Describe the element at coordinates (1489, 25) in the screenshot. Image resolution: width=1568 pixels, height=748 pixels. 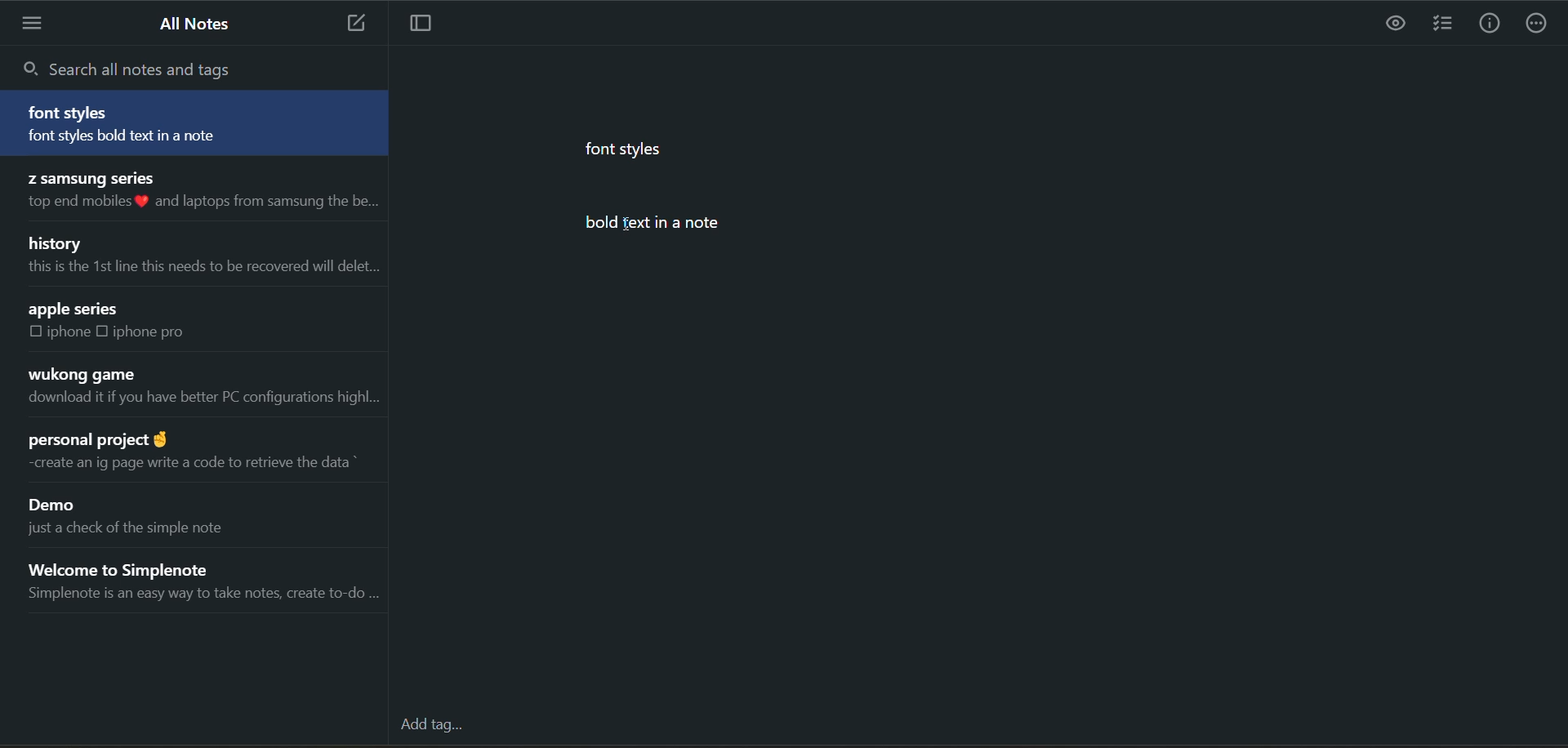
I see `info` at that location.